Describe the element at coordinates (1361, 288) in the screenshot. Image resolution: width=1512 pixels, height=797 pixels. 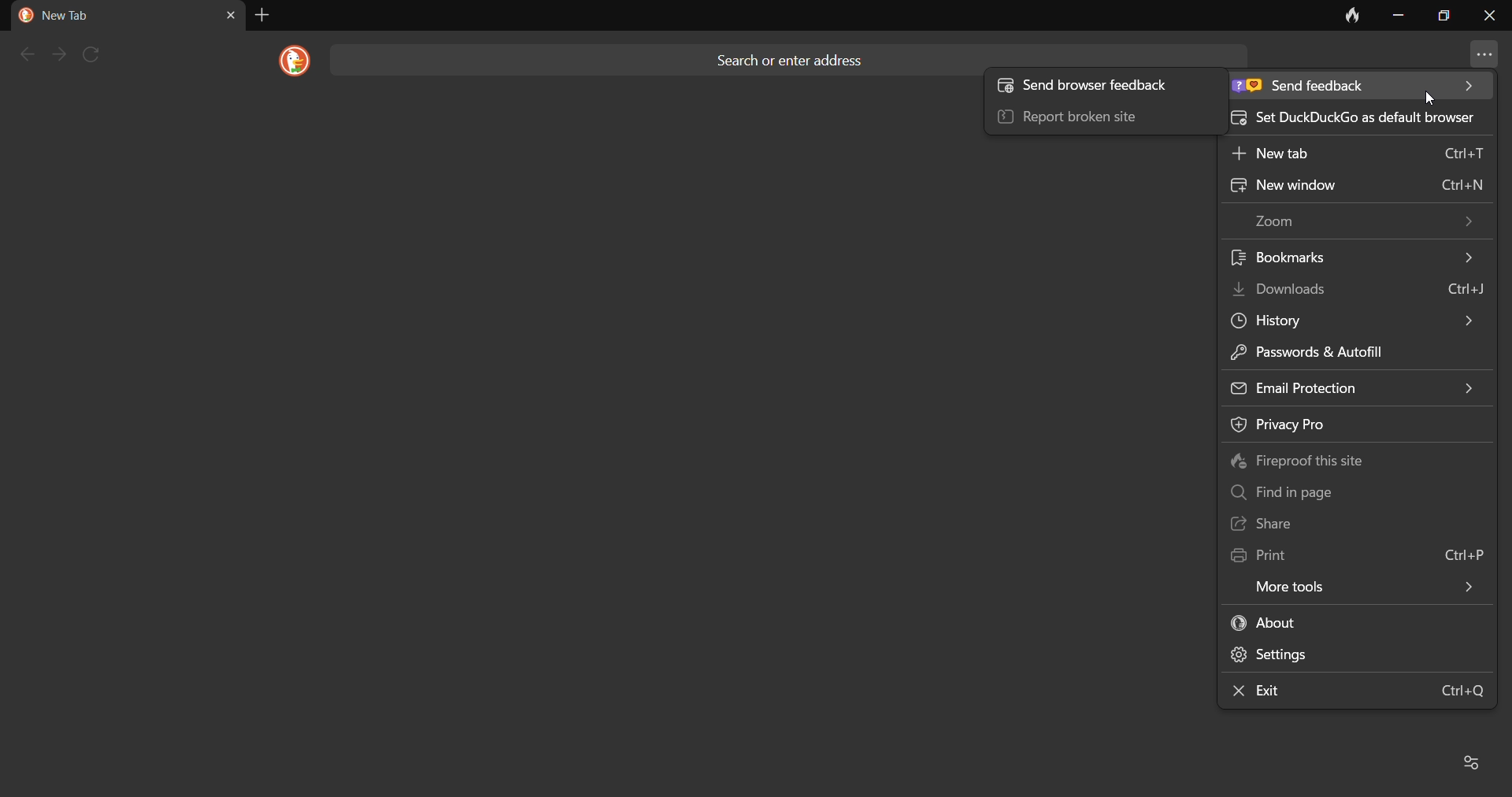
I see `download` at that location.